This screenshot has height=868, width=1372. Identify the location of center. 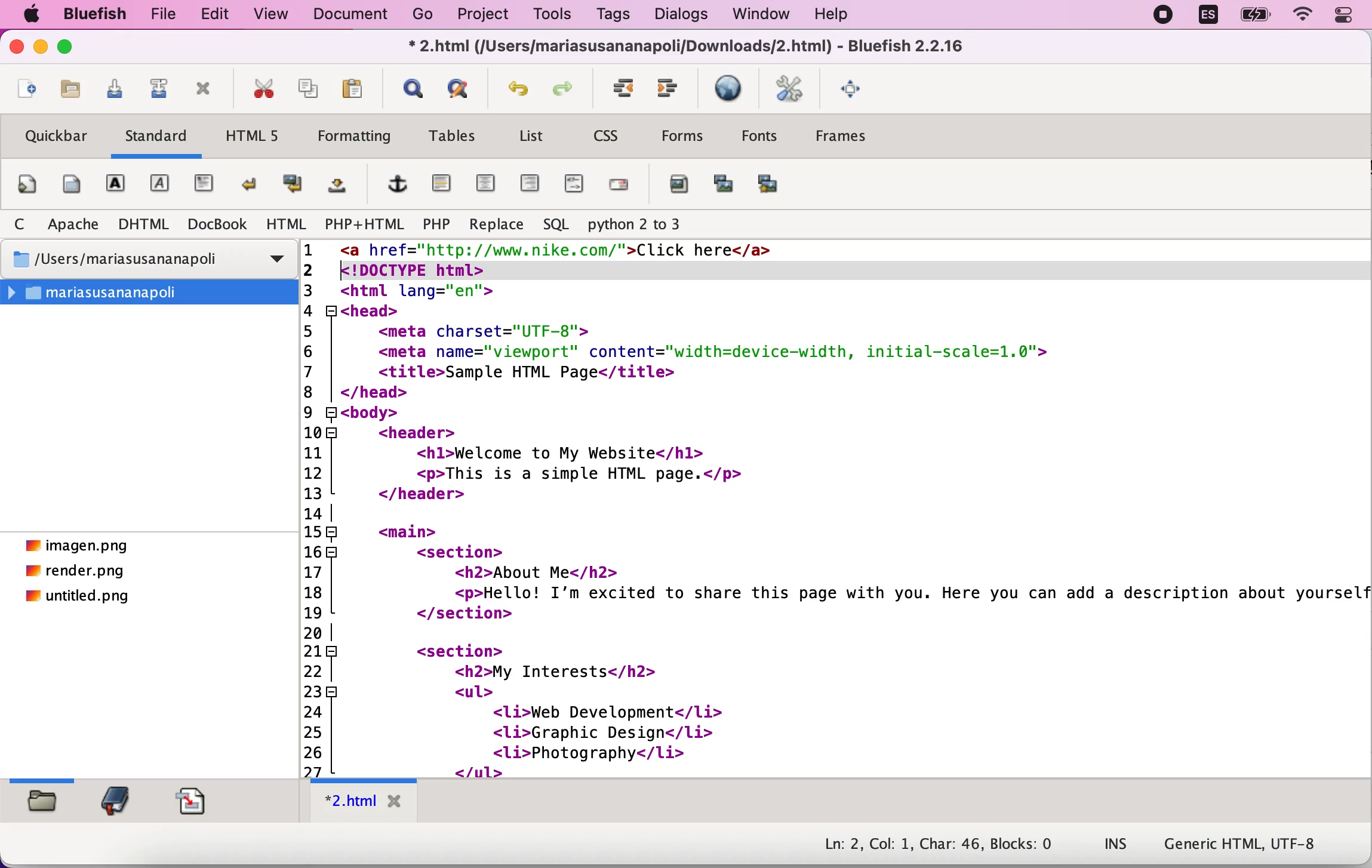
(484, 184).